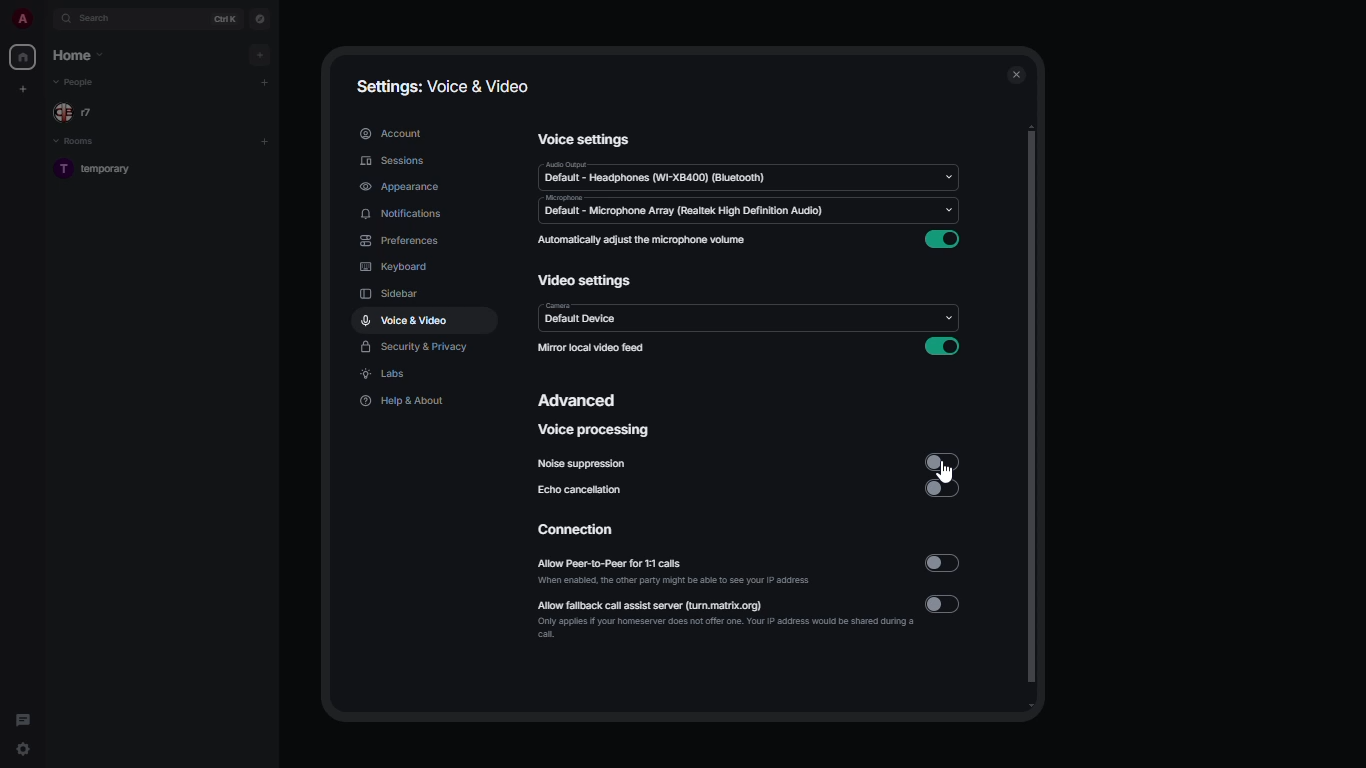  What do you see at coordinates (261, 53) in the screenshot?
I see `add` at bounding box center [261, 53].